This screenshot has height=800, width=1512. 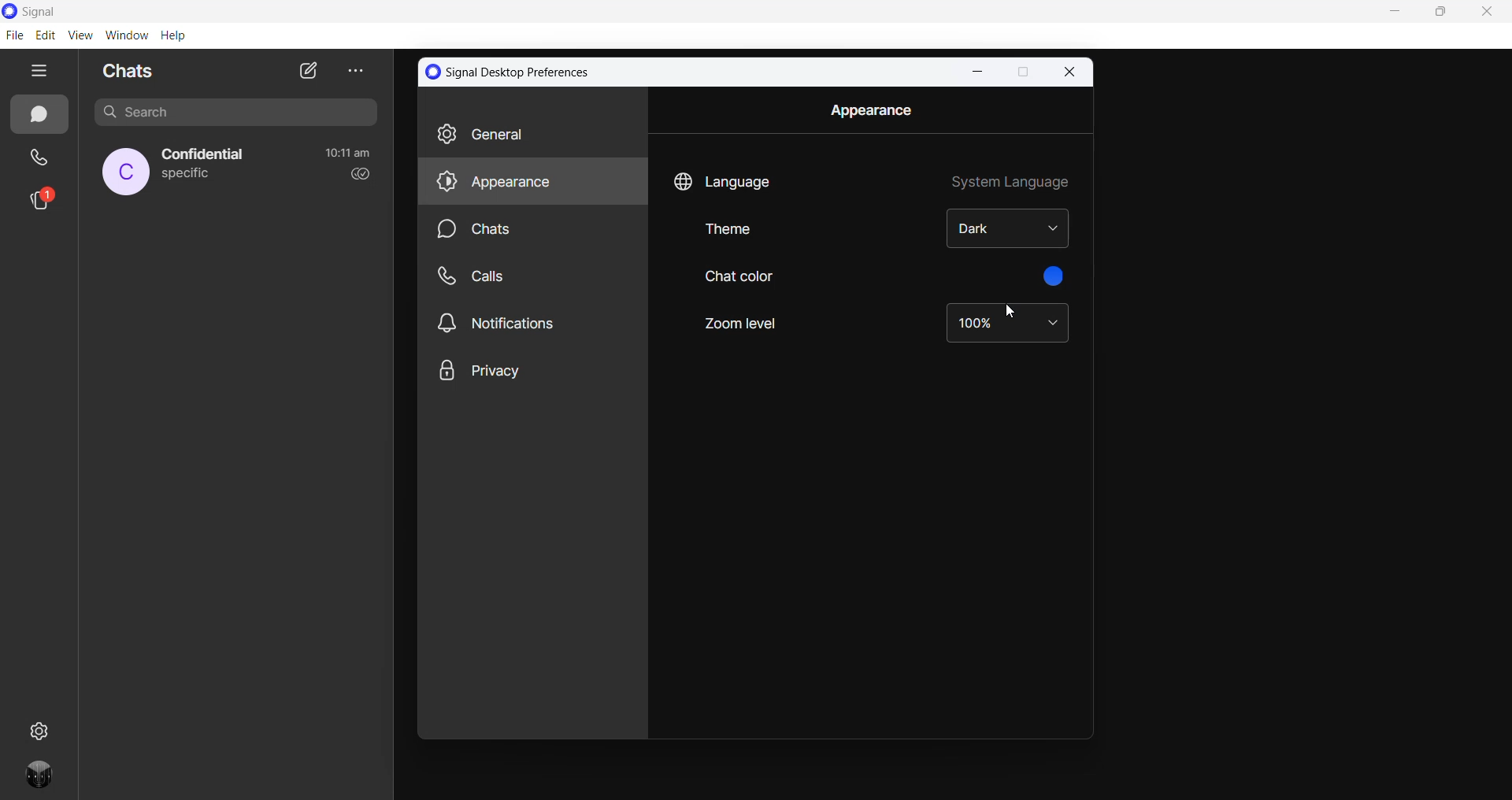 What do you see at coordinates (1007, 324) in the screenshot?
I see `zoom level` at bounding box center [1007, 324].